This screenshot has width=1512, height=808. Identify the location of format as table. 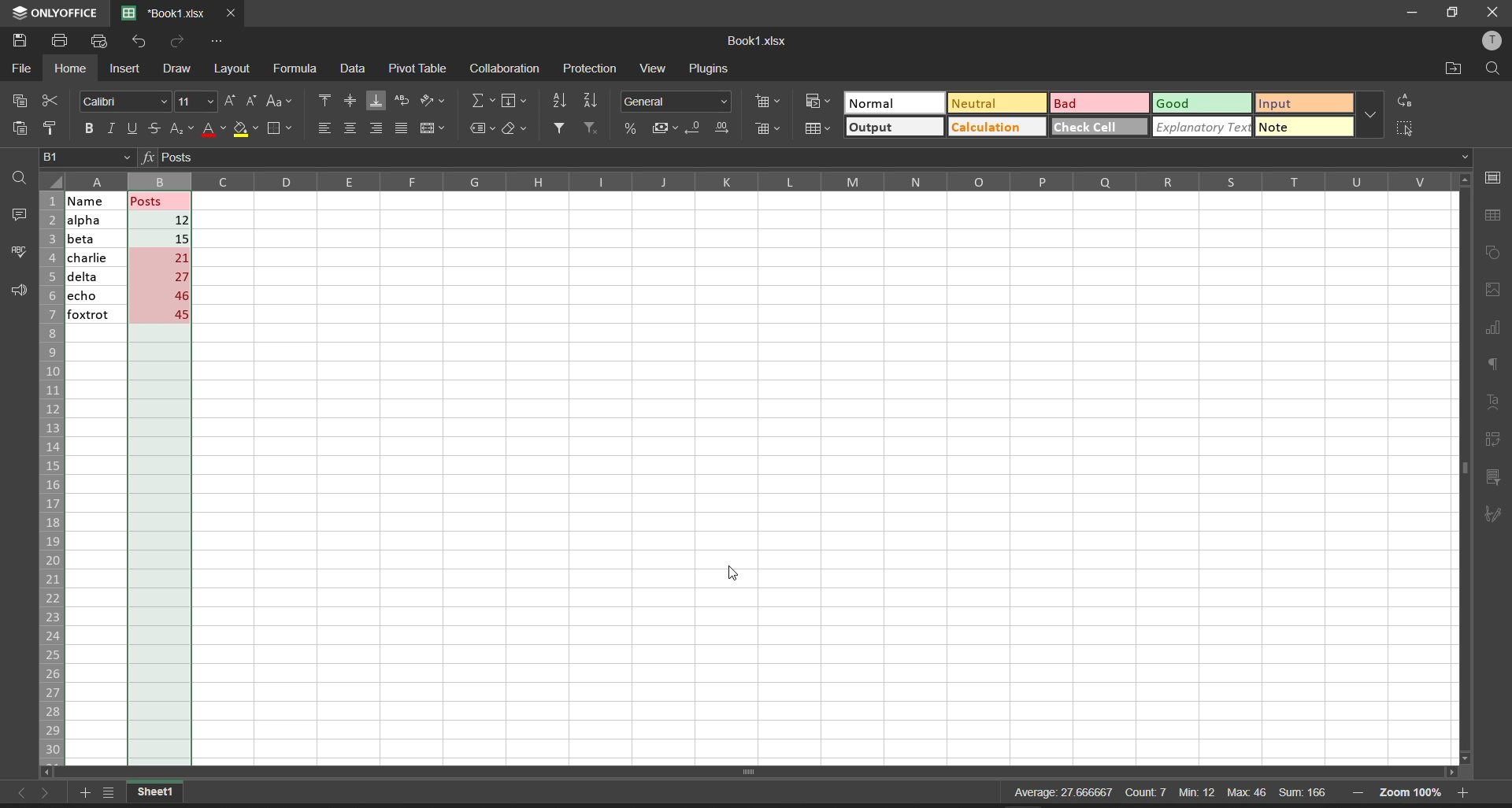
(821, 130).